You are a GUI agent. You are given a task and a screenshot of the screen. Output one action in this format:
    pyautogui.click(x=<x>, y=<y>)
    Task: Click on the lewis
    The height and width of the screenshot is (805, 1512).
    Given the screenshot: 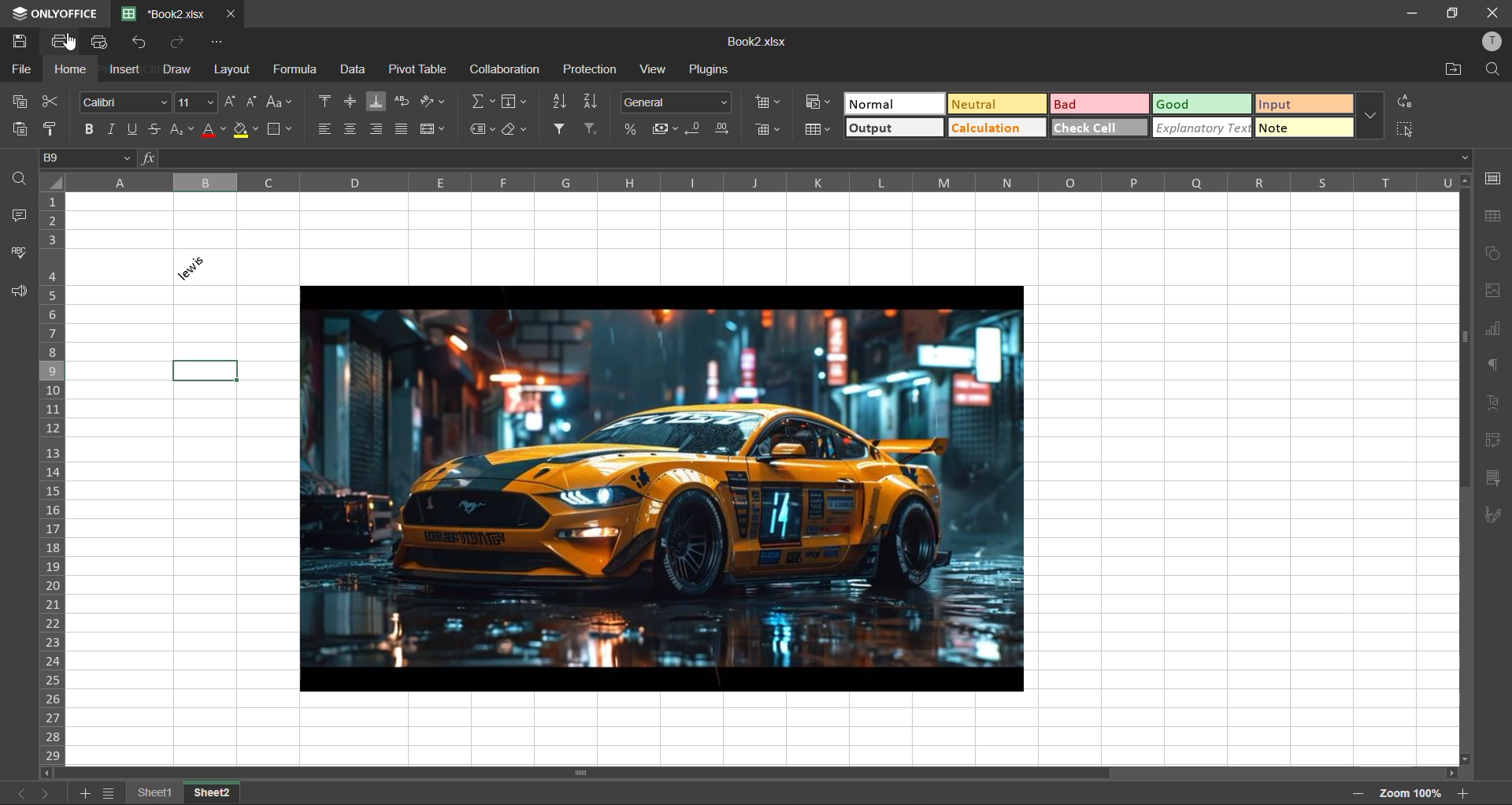 What is the action you would take?
    pyautogui.click(x=205, y=267)
    